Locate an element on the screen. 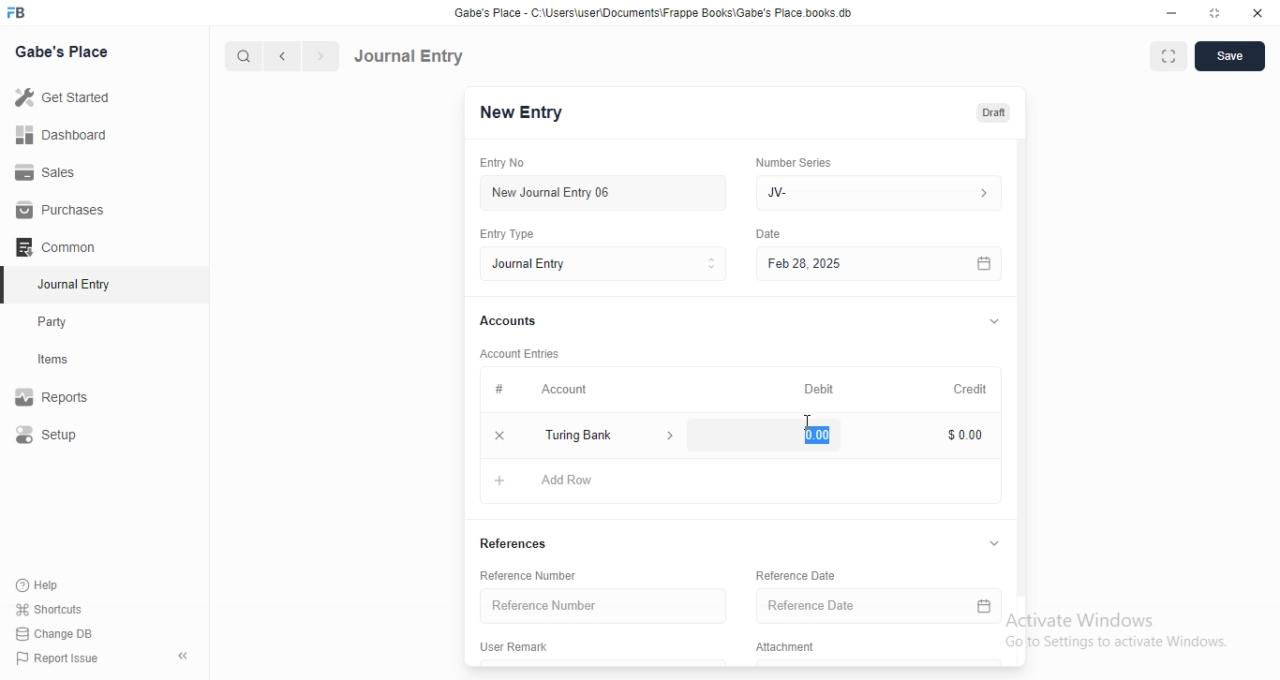 The image size is (1280, 680). minimize is located at coordinates (1170, 16).